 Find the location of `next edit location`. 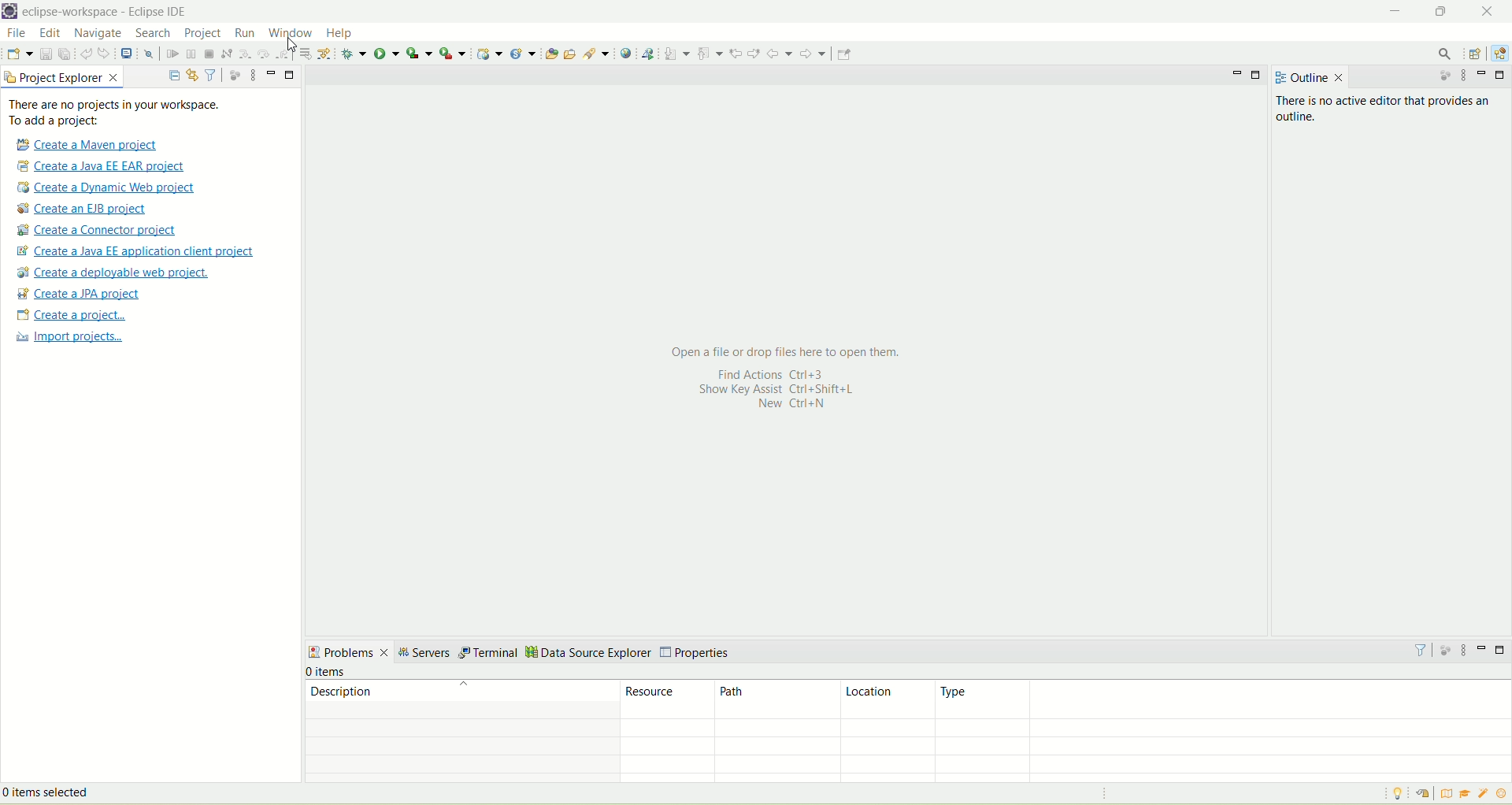

next edit location is located at coordinates (754, 52).